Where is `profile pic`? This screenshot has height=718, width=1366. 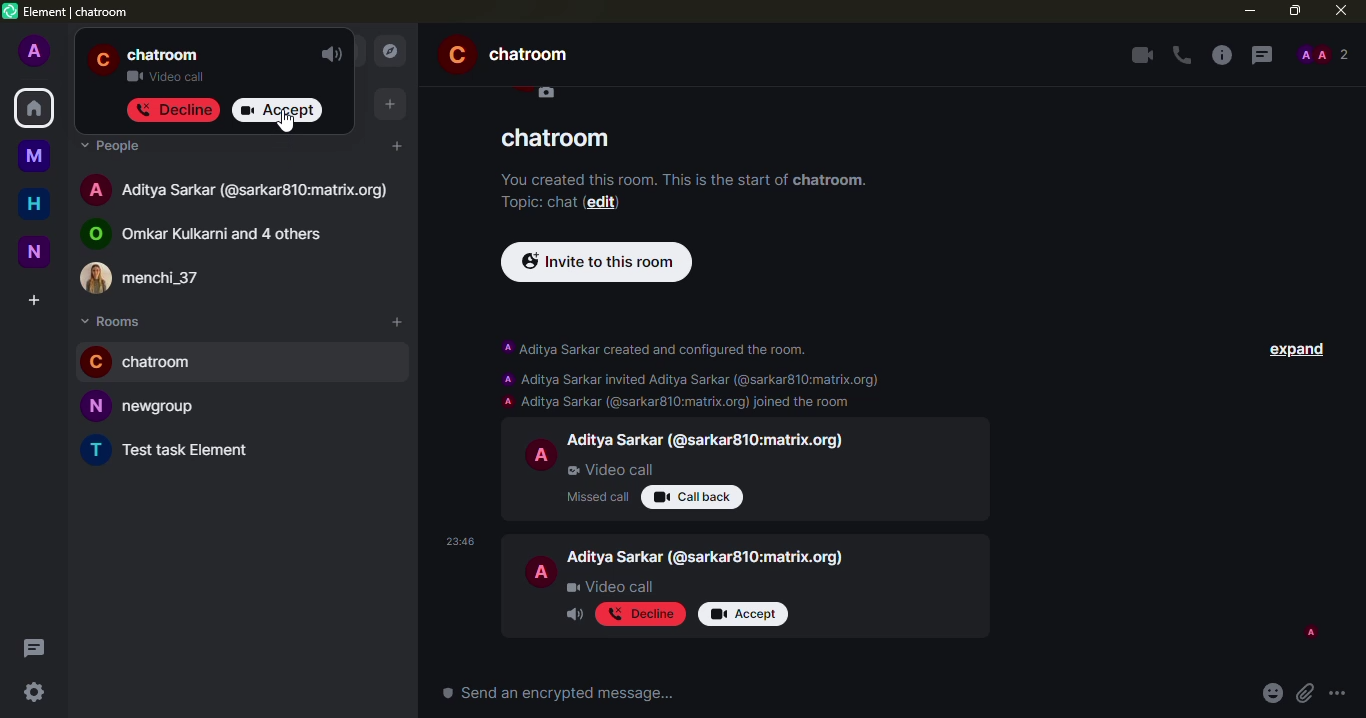
profile pic is located at coordinates (542, 453).